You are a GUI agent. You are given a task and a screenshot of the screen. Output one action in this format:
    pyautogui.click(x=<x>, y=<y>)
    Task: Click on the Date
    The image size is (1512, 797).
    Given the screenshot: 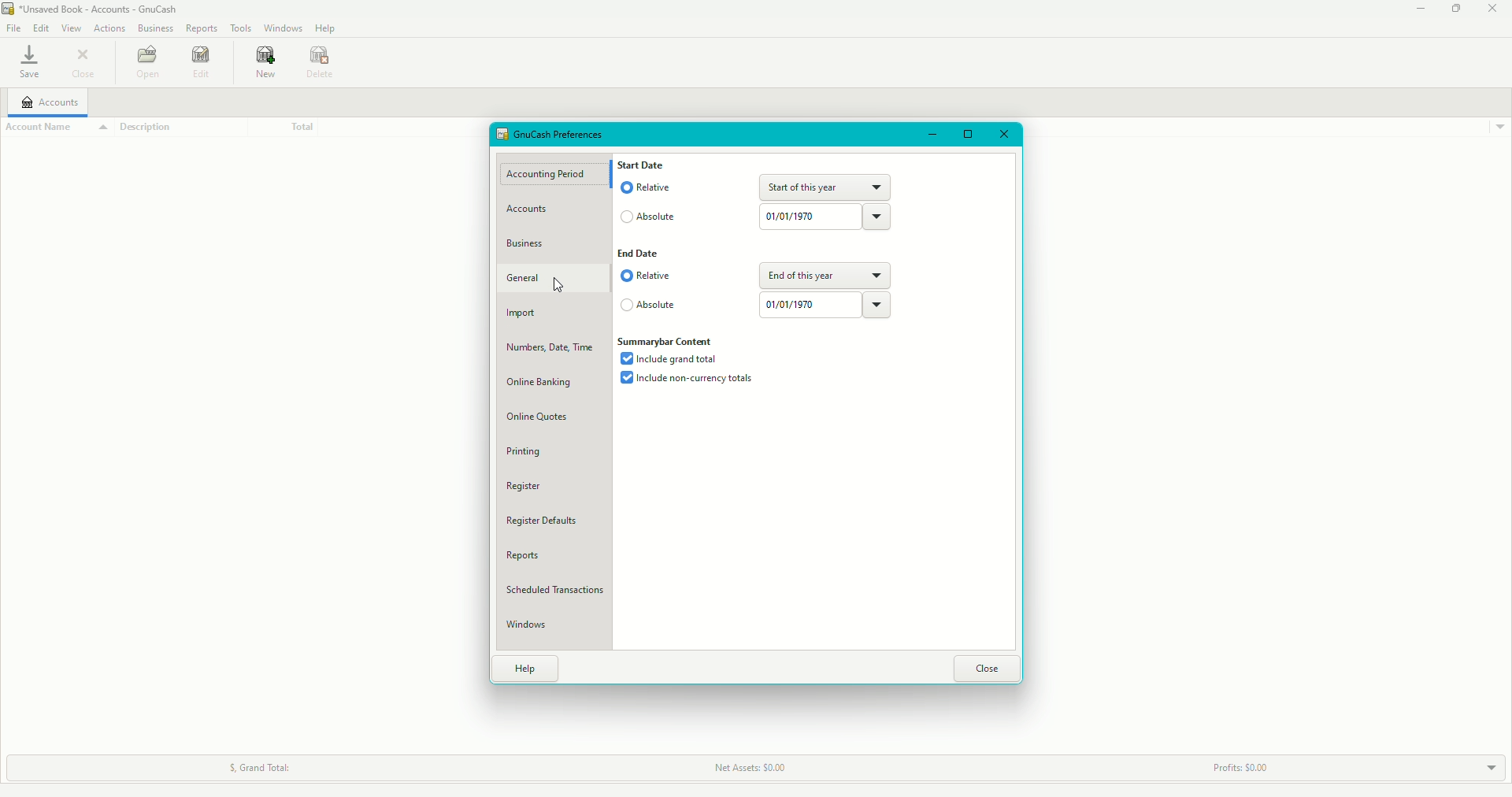 What is the action you would take?
    pyautogui.click(x=824, y=217)
    